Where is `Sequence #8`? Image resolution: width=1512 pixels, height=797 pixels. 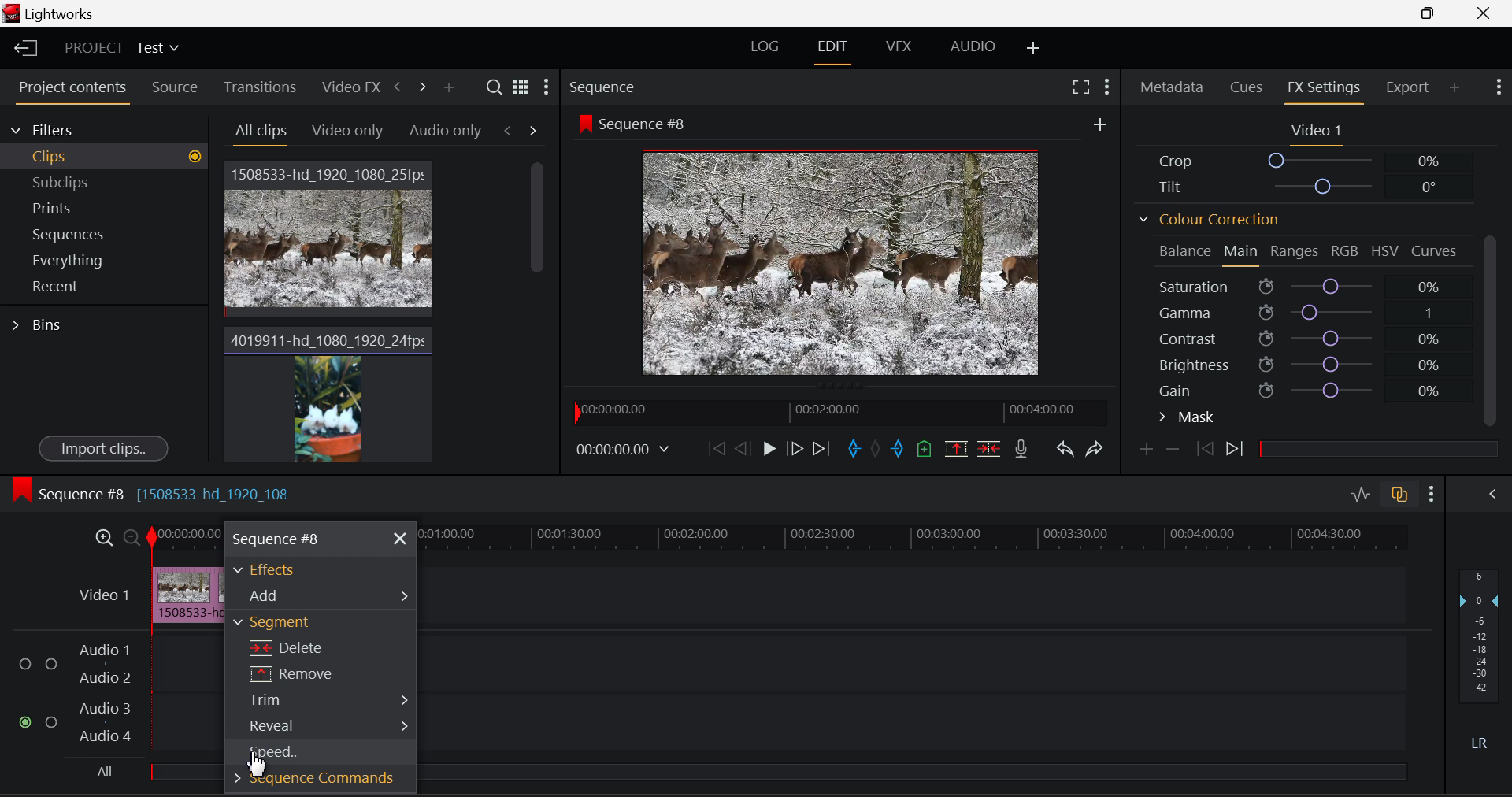 Sequence #8 is located at coordinates (274, 539).